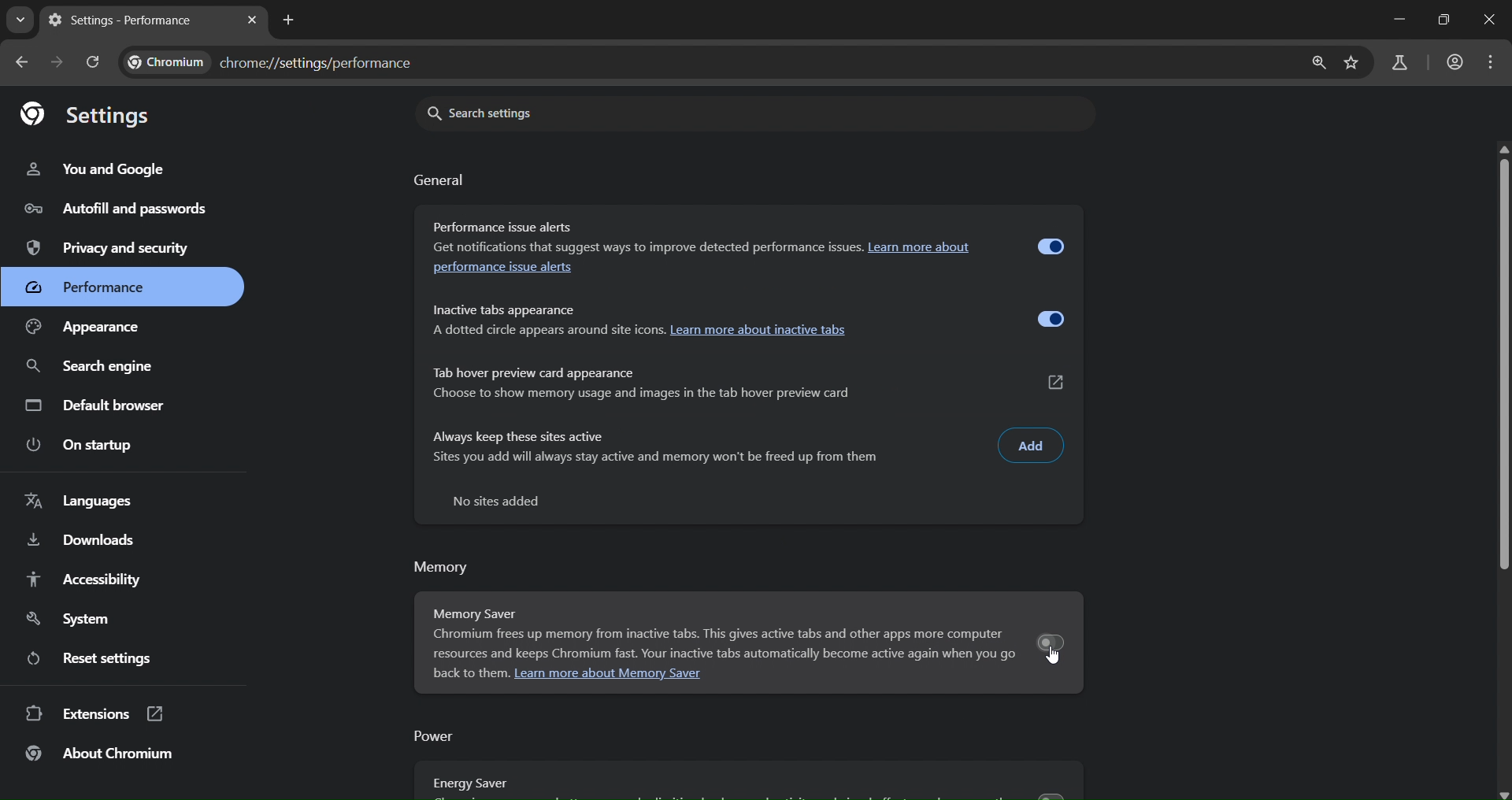 The height and width of the screenshot is (800, 1512). What do you see at coordinates (503, 502) in the screenshot?
I see `text` at bounding box center [503, 502].